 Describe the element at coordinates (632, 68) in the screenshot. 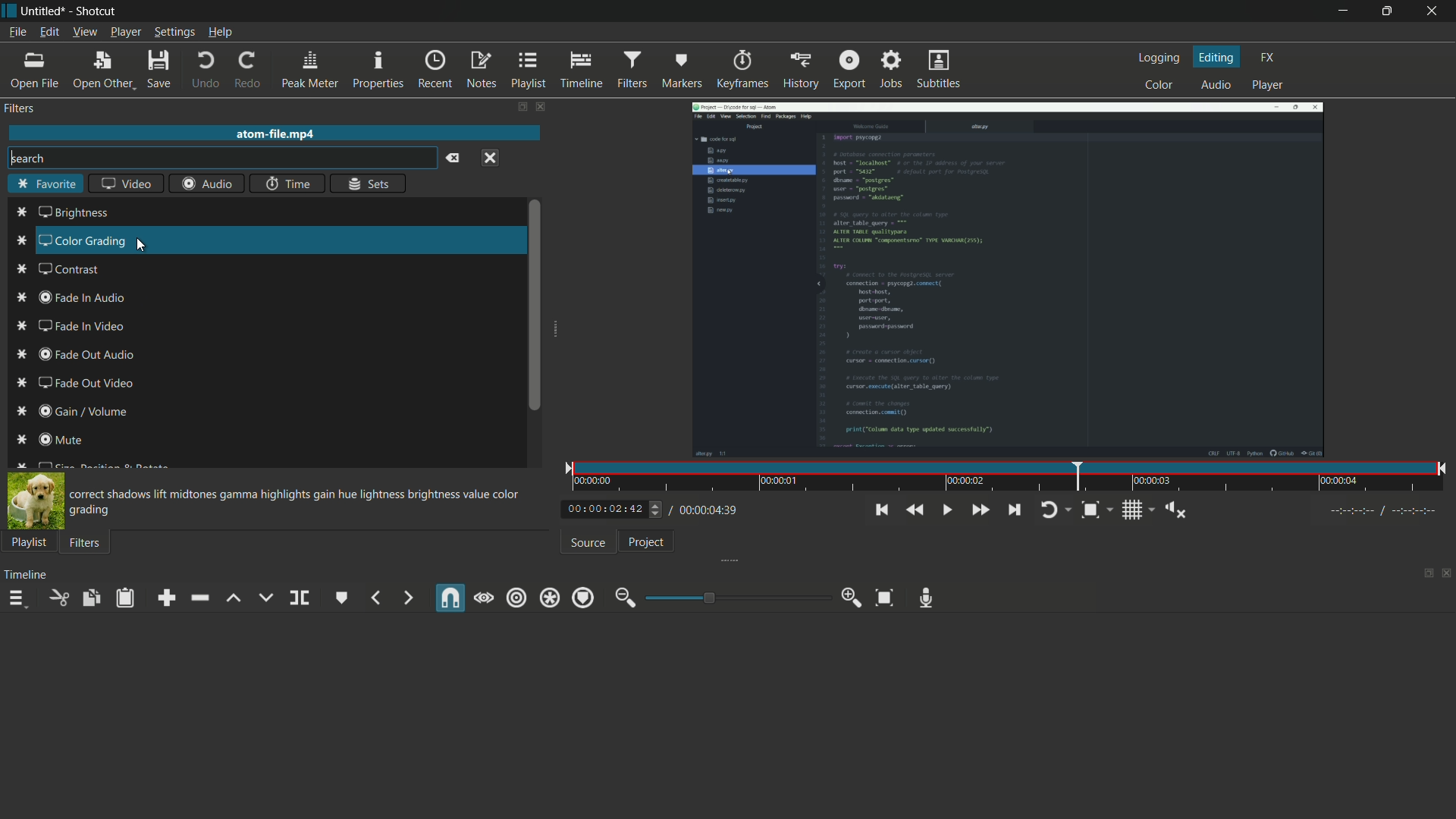

I see `filters` at that location.